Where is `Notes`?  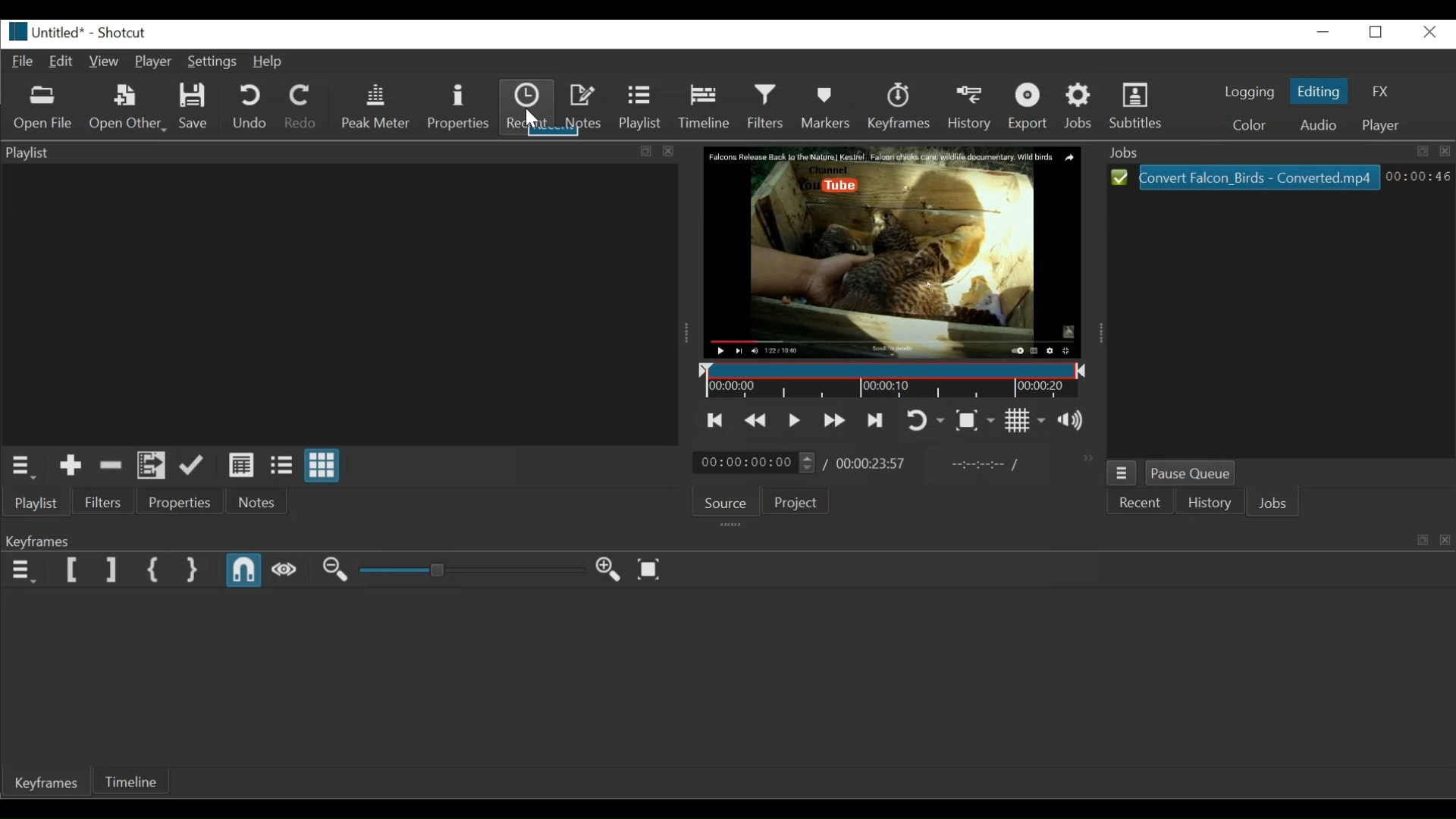 Notes is located at coordinates (257, 504).